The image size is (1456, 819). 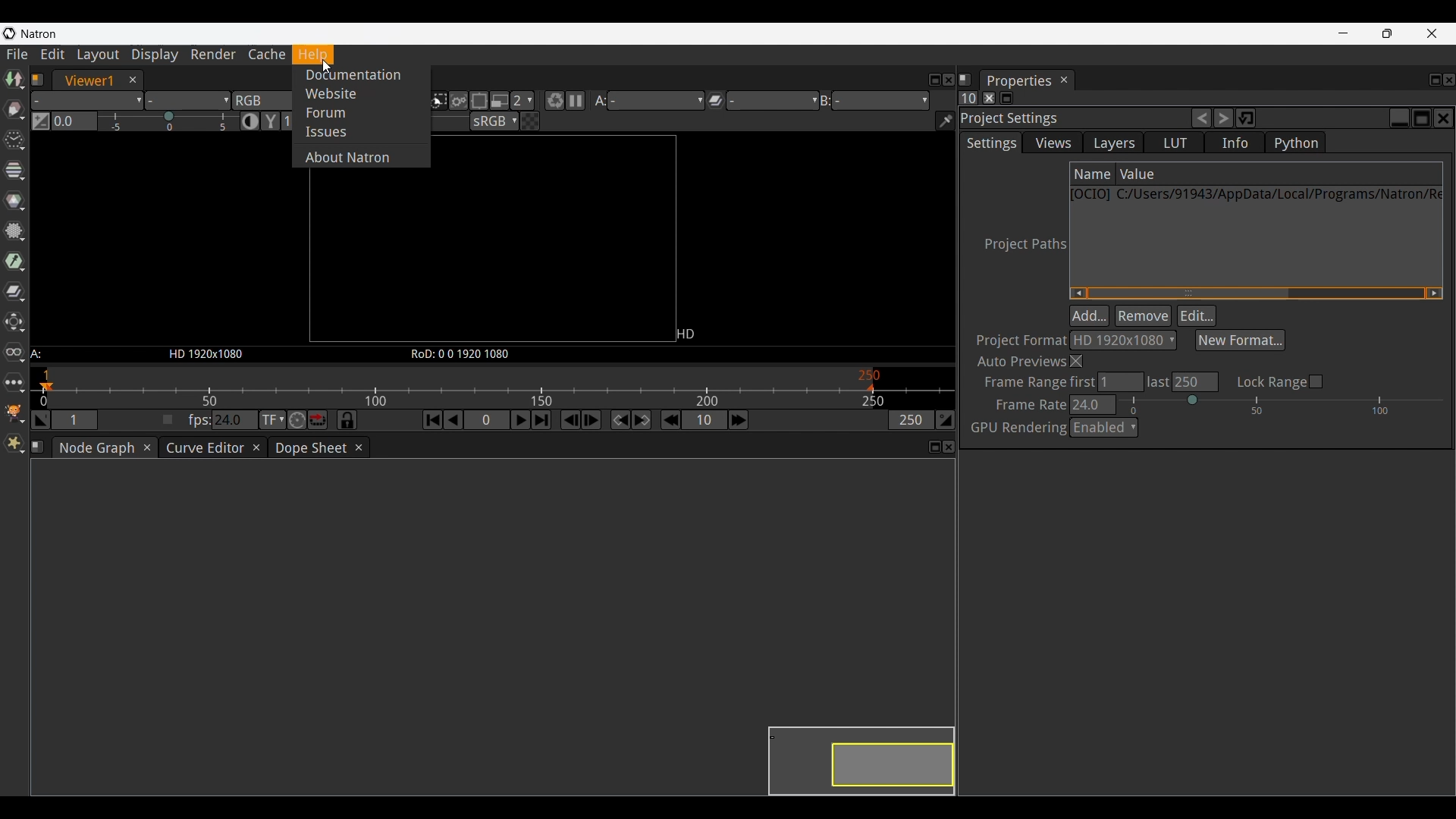 What do you see at coordinates (460, 387) in the screenshot?
I see `Framerate scale` at bounding box center [460, 387].